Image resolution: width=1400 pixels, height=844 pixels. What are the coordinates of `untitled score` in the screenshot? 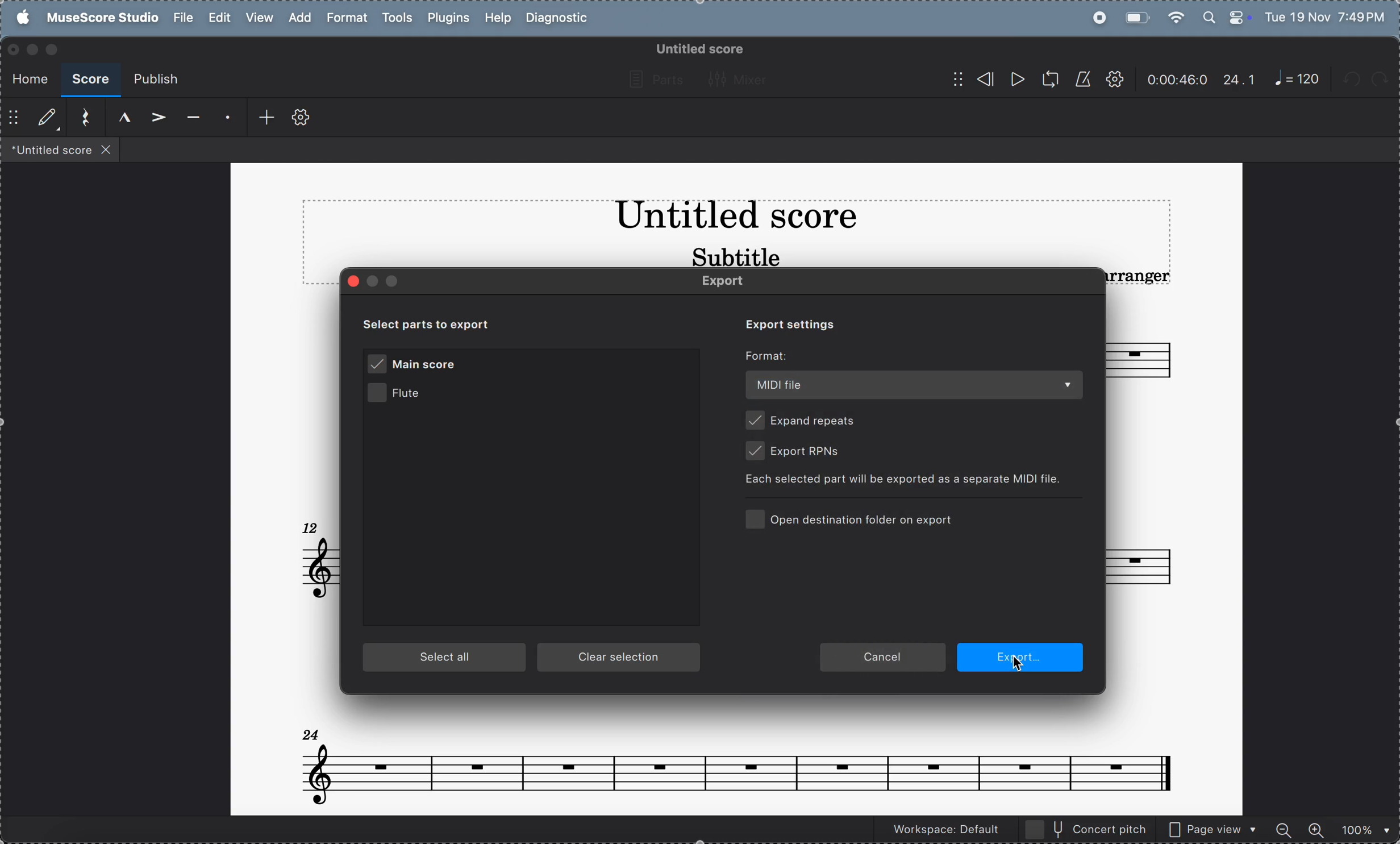 It's located at (698, 49).